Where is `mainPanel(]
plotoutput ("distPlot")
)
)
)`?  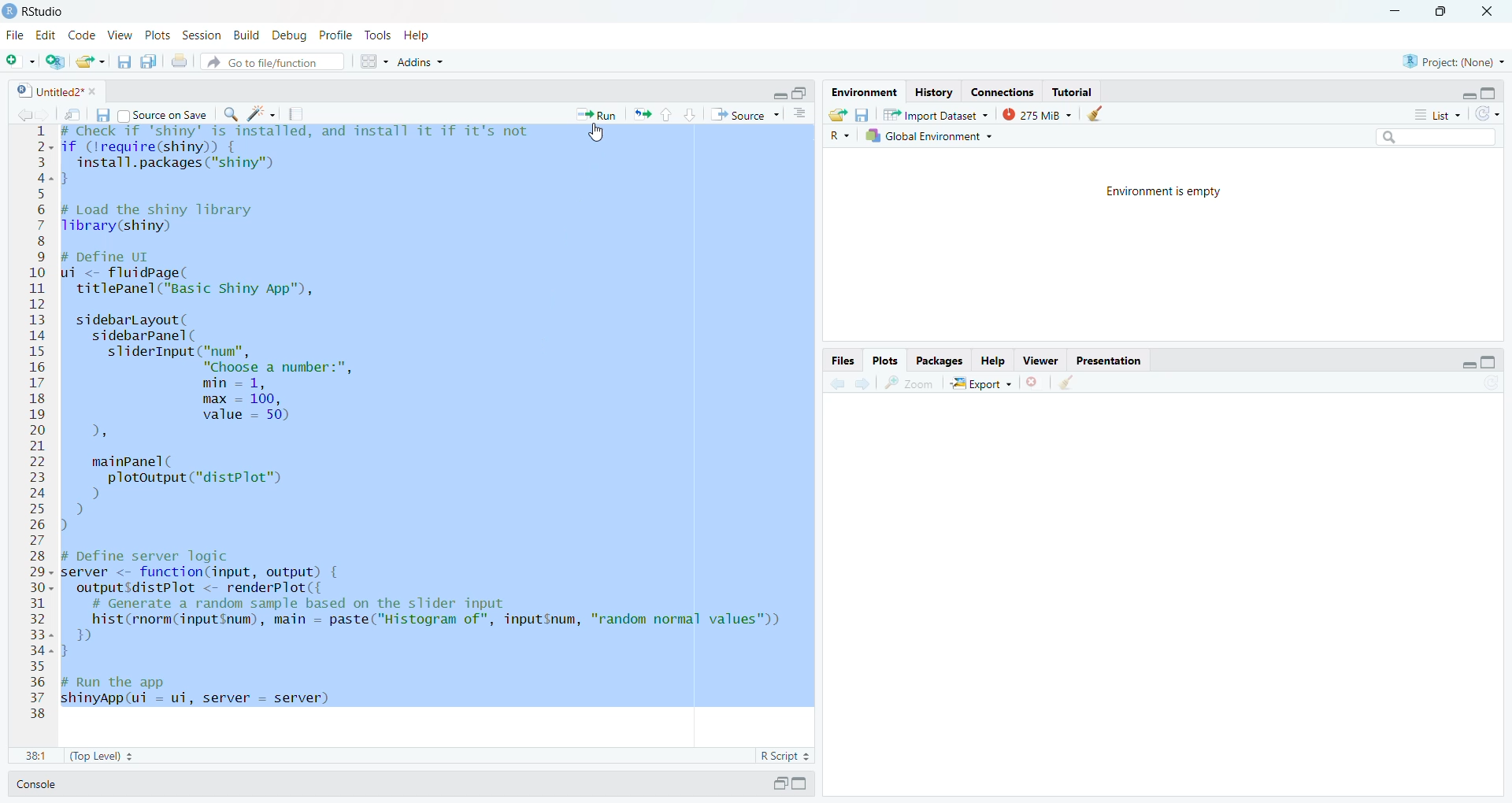
mainPanel(]
plotoutput ("distPlot")
)
)
) is located at coordinates (192, 495).